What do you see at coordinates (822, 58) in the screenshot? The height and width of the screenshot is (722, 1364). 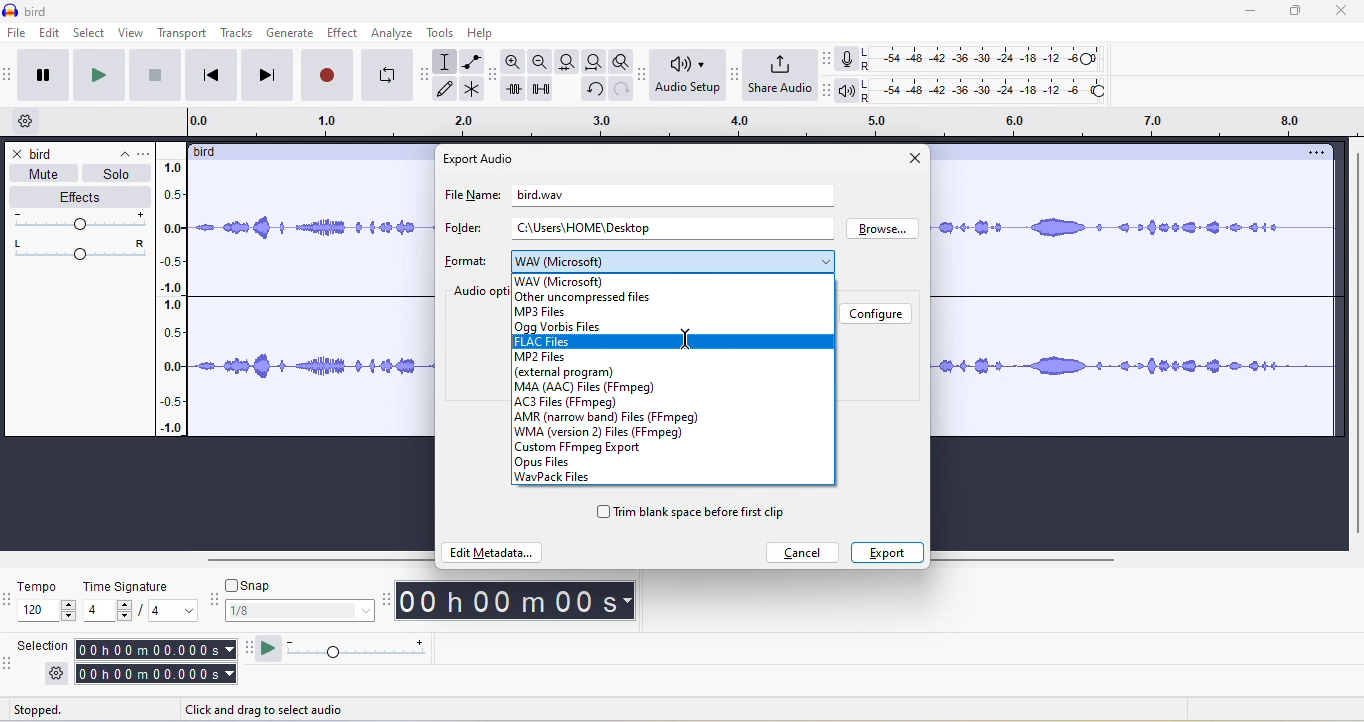 I see `audacity recording meter toolbar` at bounding box center [822, 58].